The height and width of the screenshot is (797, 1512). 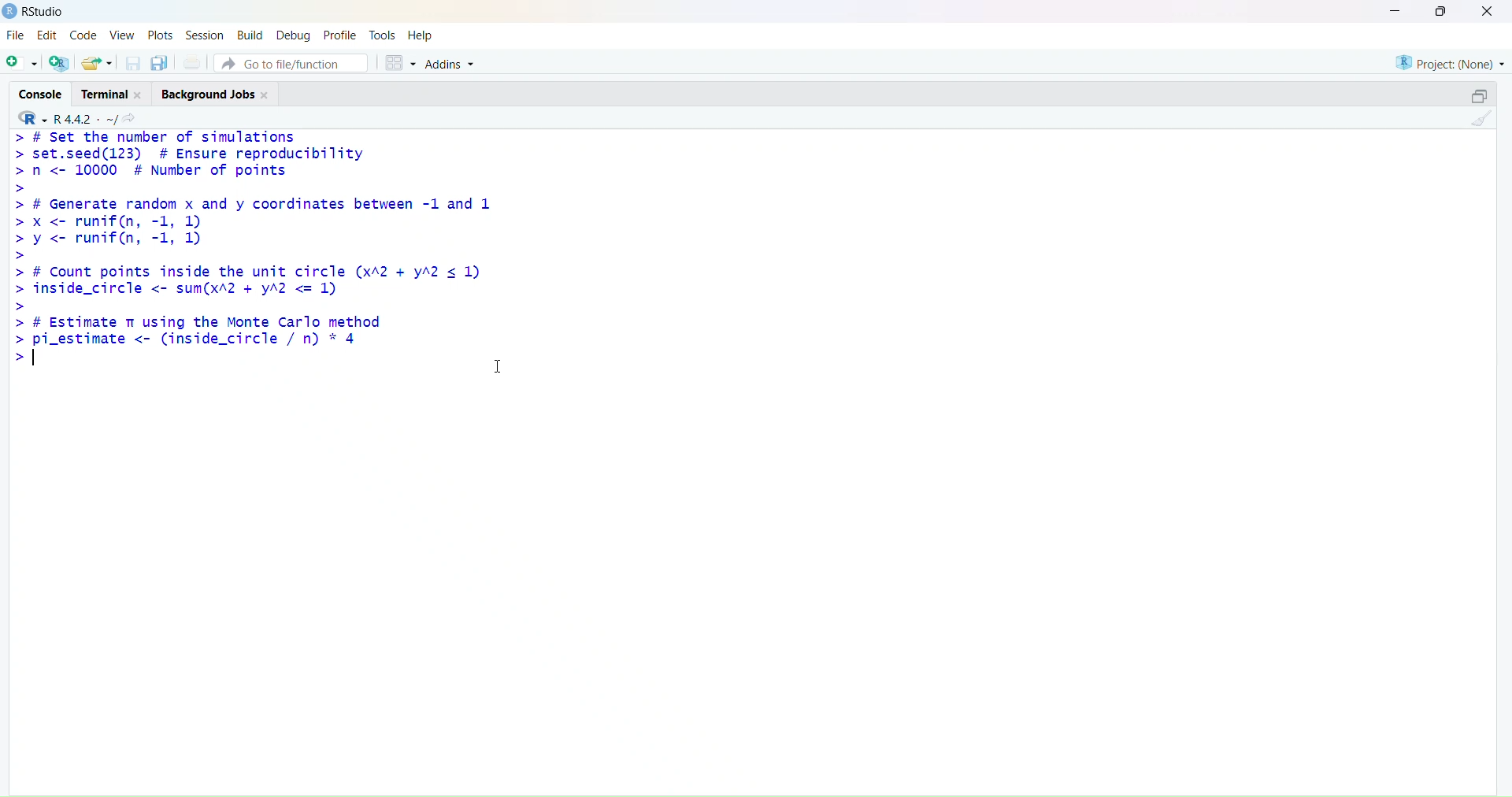 I want to click on Text Cursor, so click(x=491, y=363).